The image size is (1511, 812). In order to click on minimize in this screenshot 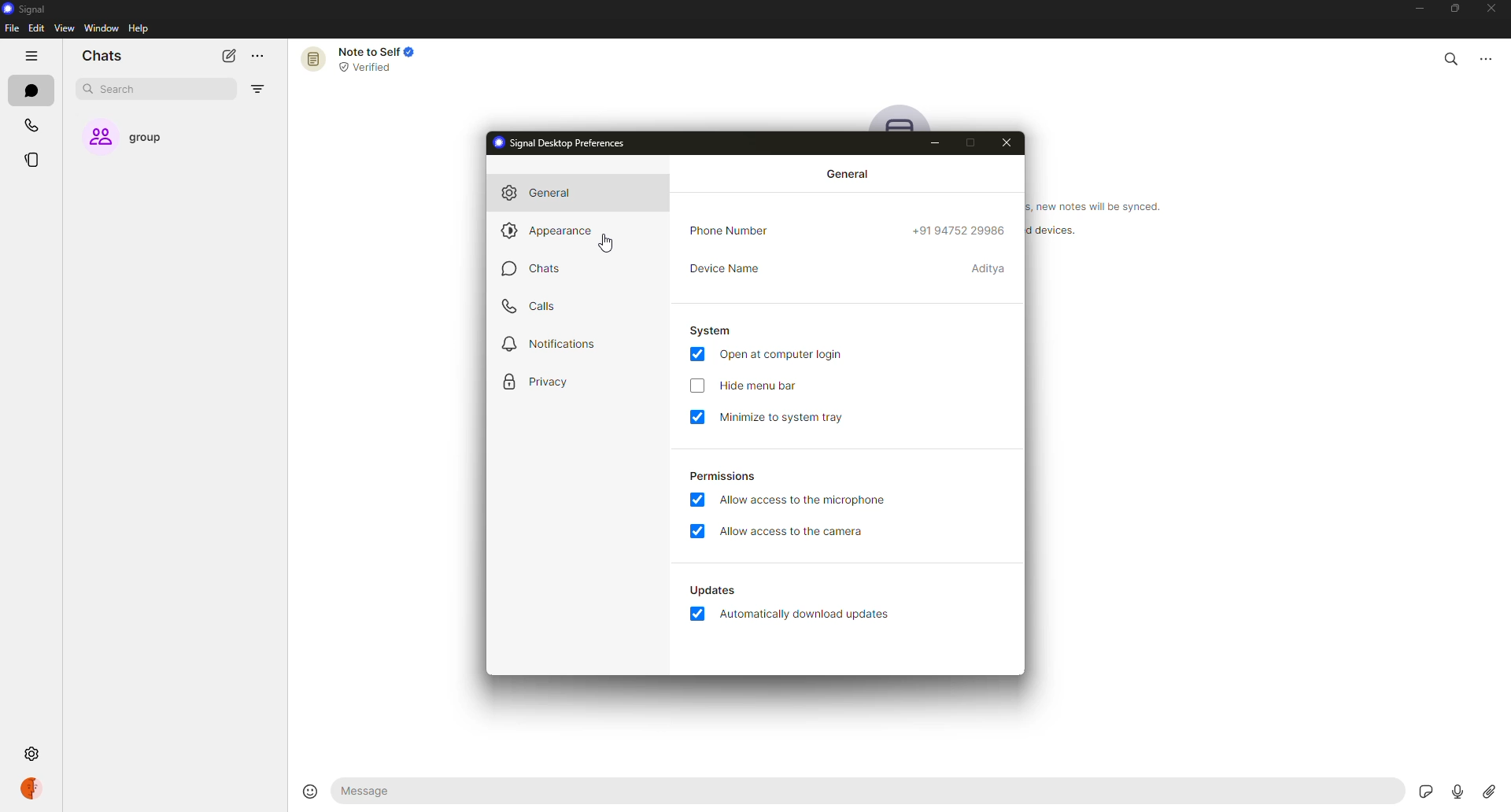, I will do `click(937, 142)`.